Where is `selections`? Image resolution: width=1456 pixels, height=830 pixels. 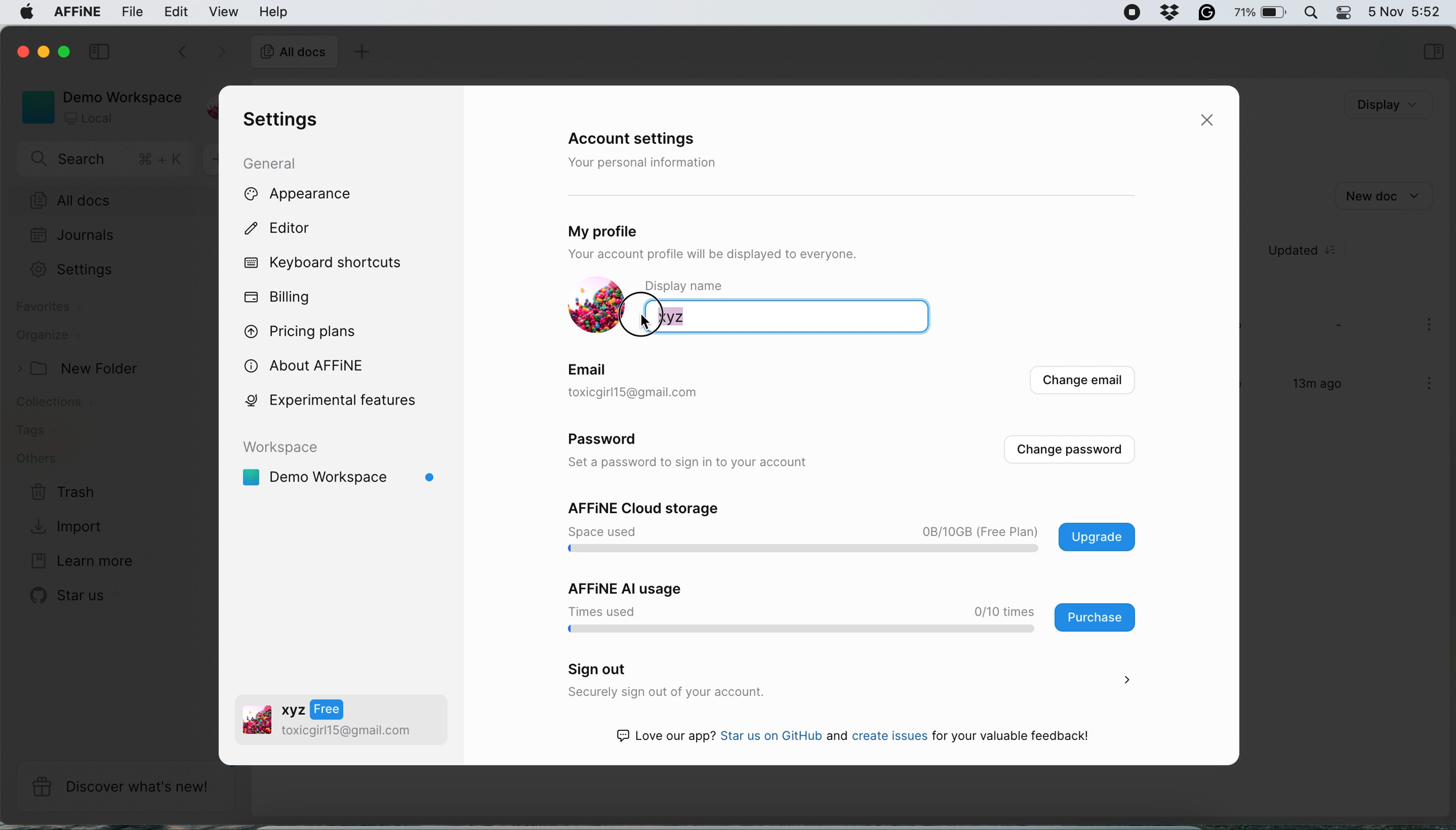 selections is located at coordinates (1433, 53).